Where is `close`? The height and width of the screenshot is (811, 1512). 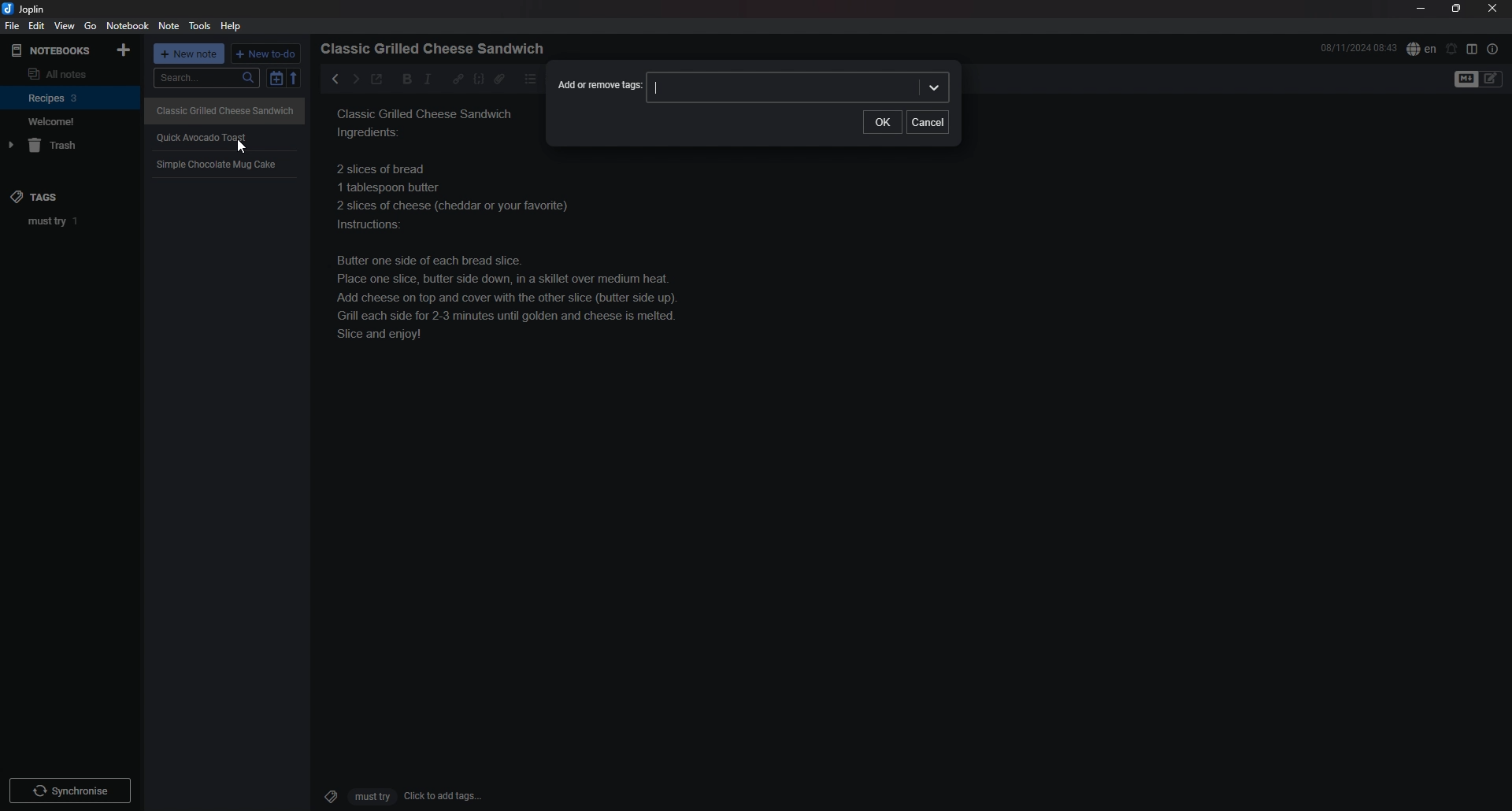
close is located at coordinates (1494, 8).